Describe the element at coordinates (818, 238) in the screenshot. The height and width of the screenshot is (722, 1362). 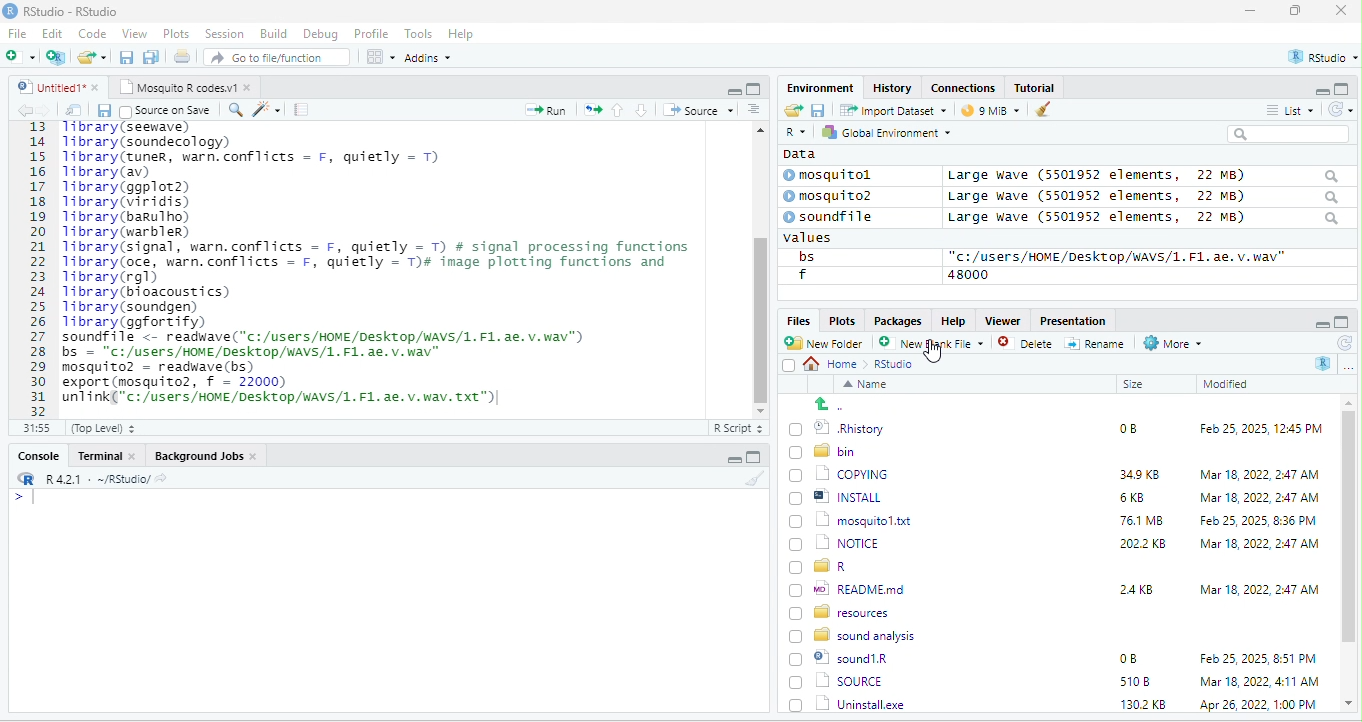
I see `values` at that location.